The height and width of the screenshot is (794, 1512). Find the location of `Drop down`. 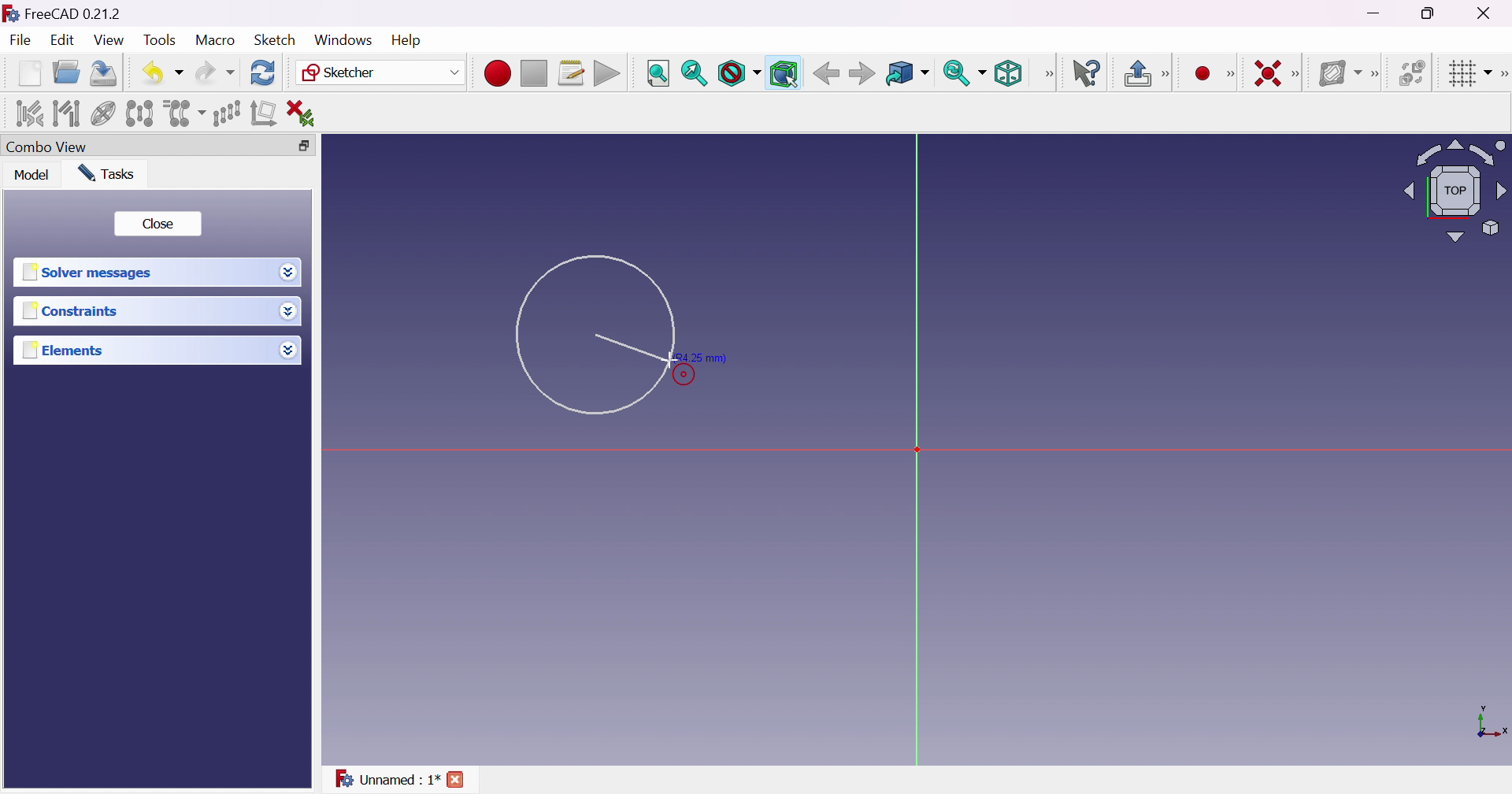

Drop down is located at coordinates (291, 311).